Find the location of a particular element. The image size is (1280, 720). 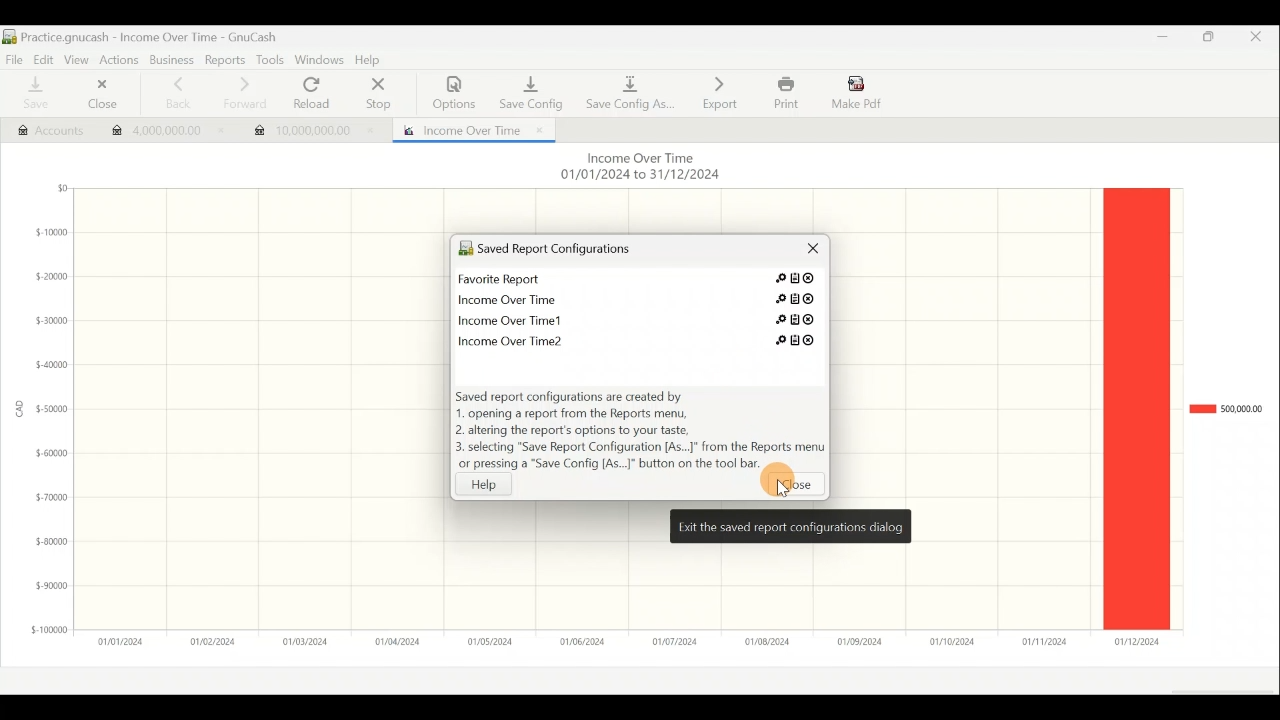

Print is located at coordinates (784, 93).